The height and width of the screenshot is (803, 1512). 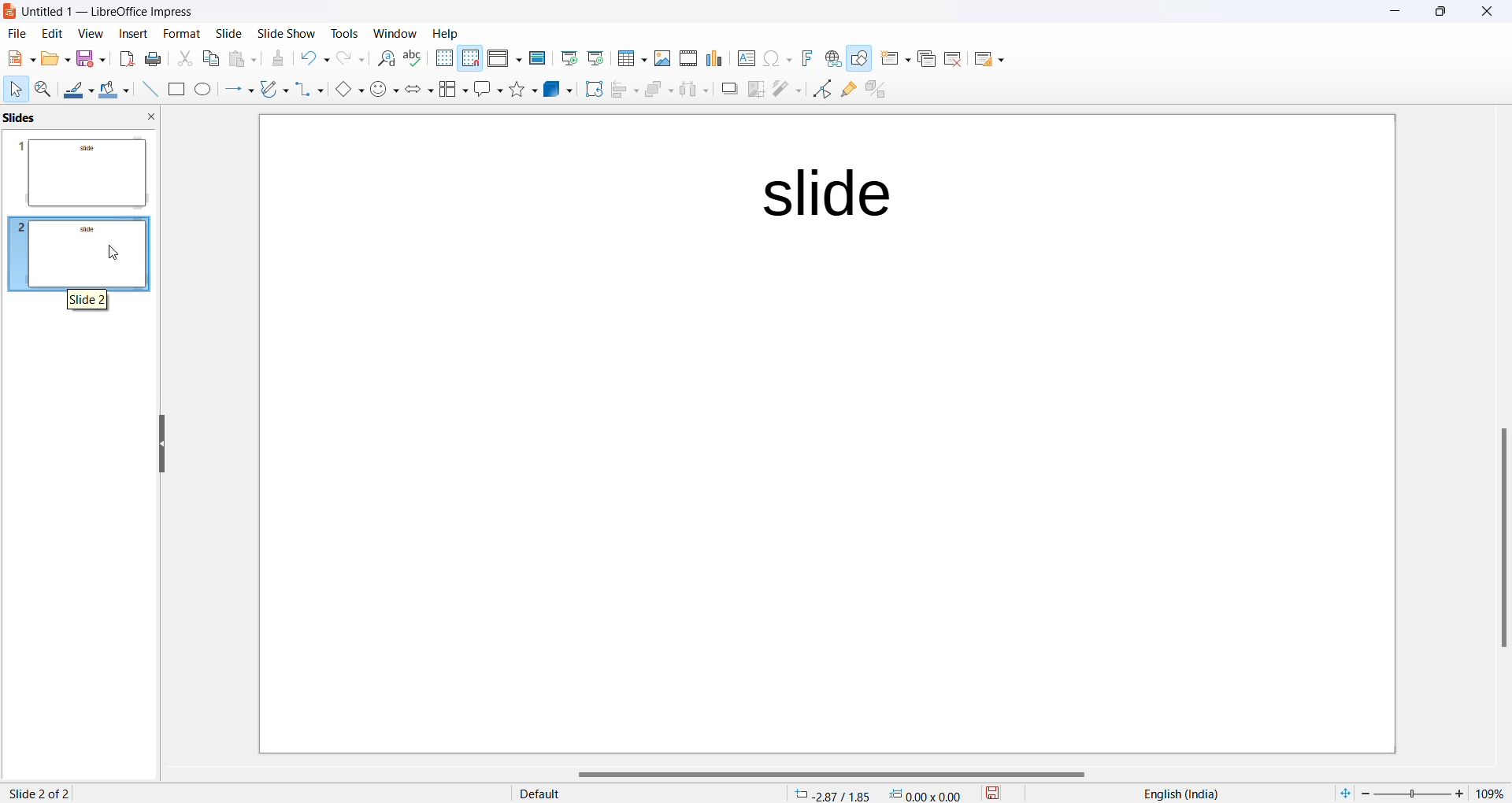 I want to click on dimension 0.00*0.00, so click(x=929, y=794).